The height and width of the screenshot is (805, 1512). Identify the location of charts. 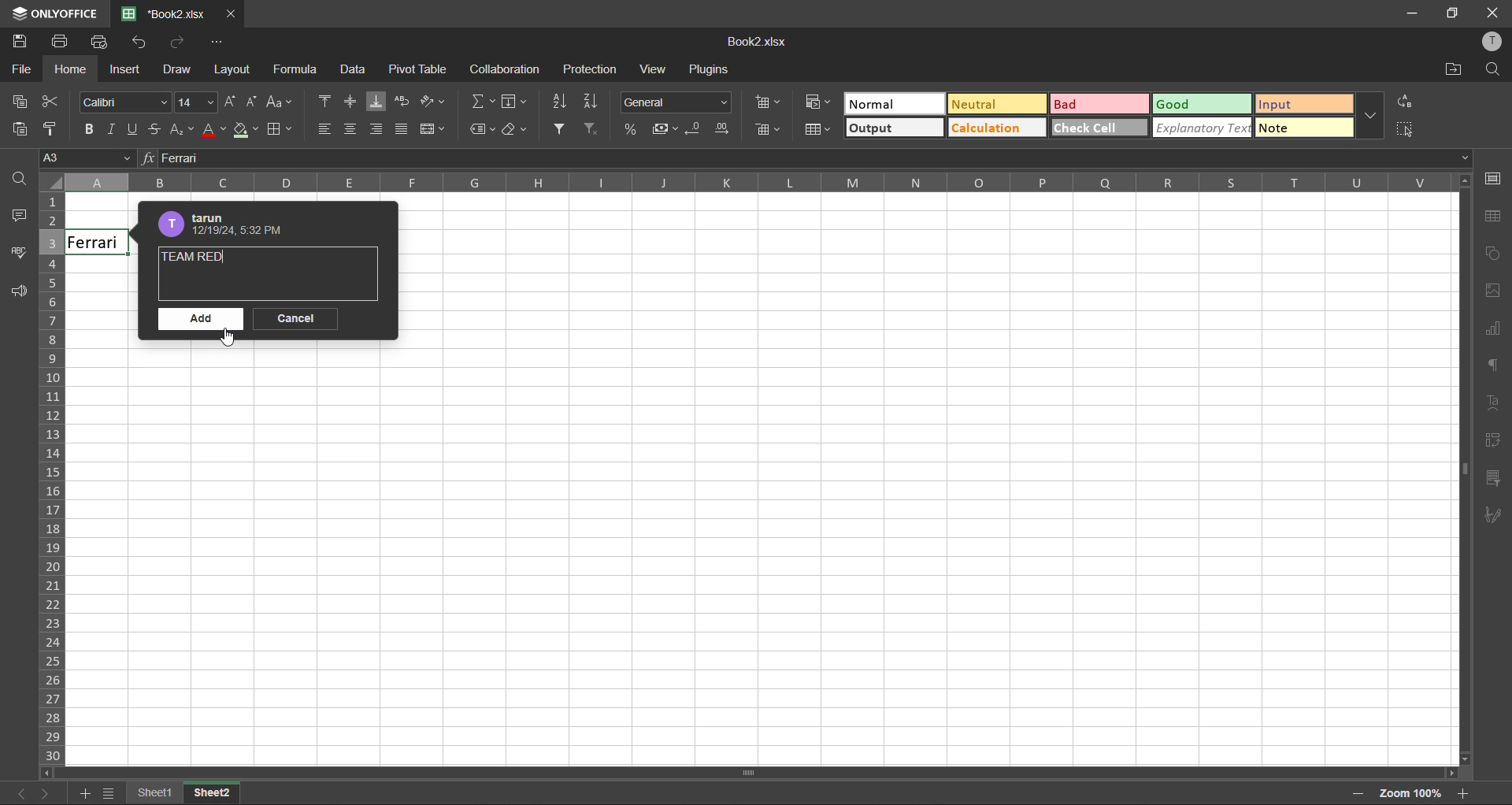
(1495, 333).